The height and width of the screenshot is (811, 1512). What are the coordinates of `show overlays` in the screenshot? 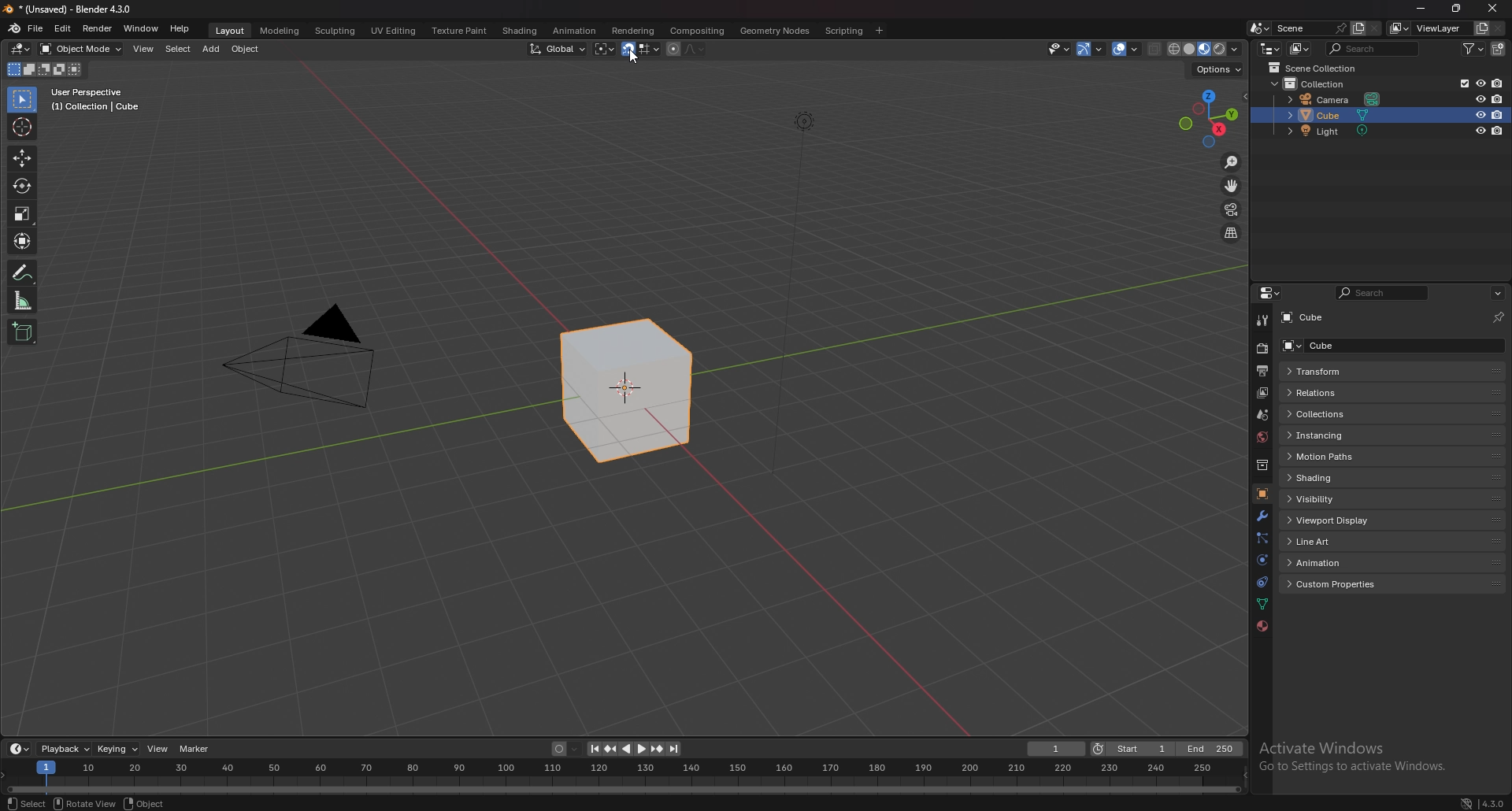 It's located at (1127, 49).